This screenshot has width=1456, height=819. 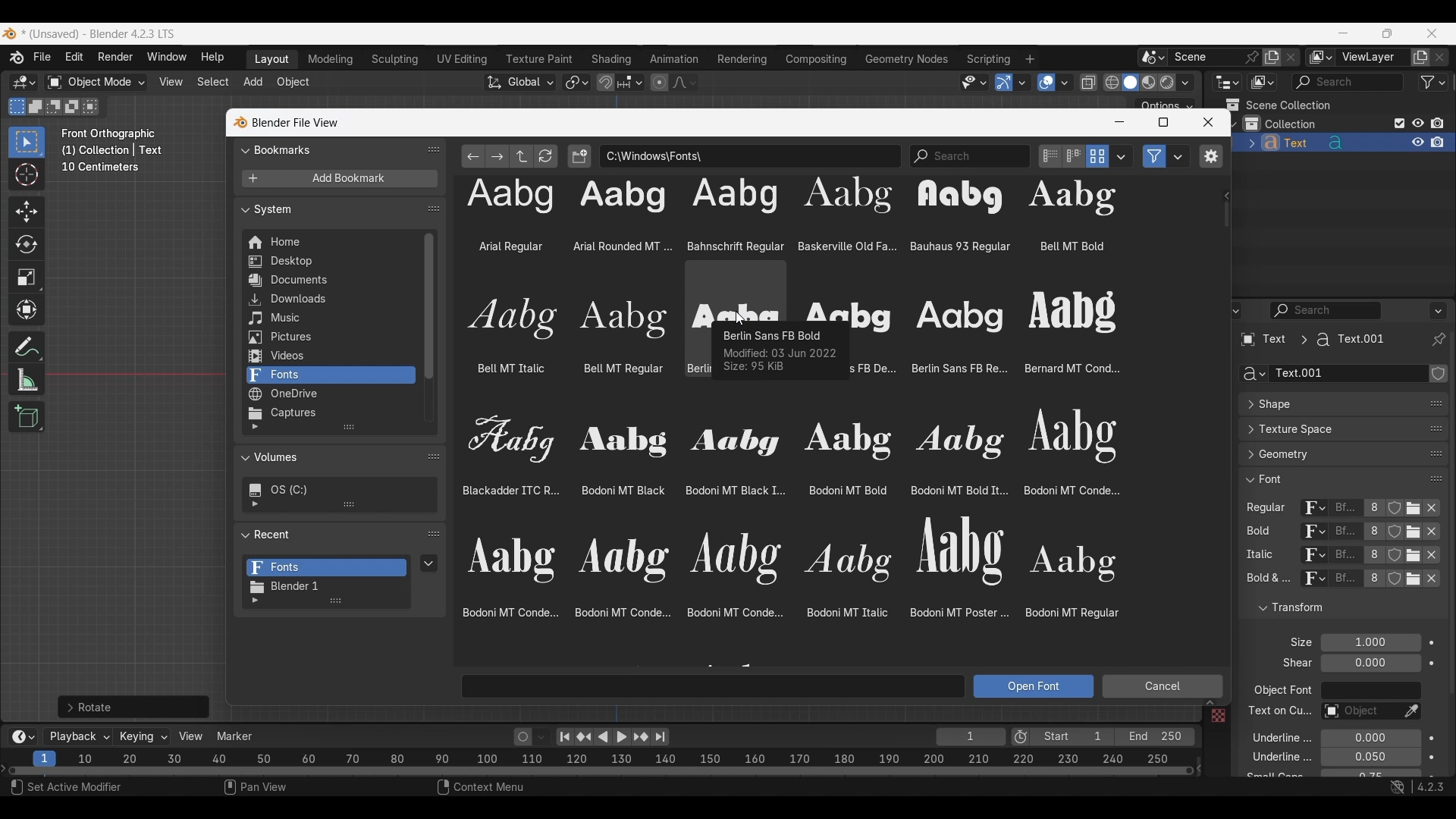 What do you see at coordinates (613, 59) in the screenshot?
I see `Shading workspace ` at bounding box center [613, 59].